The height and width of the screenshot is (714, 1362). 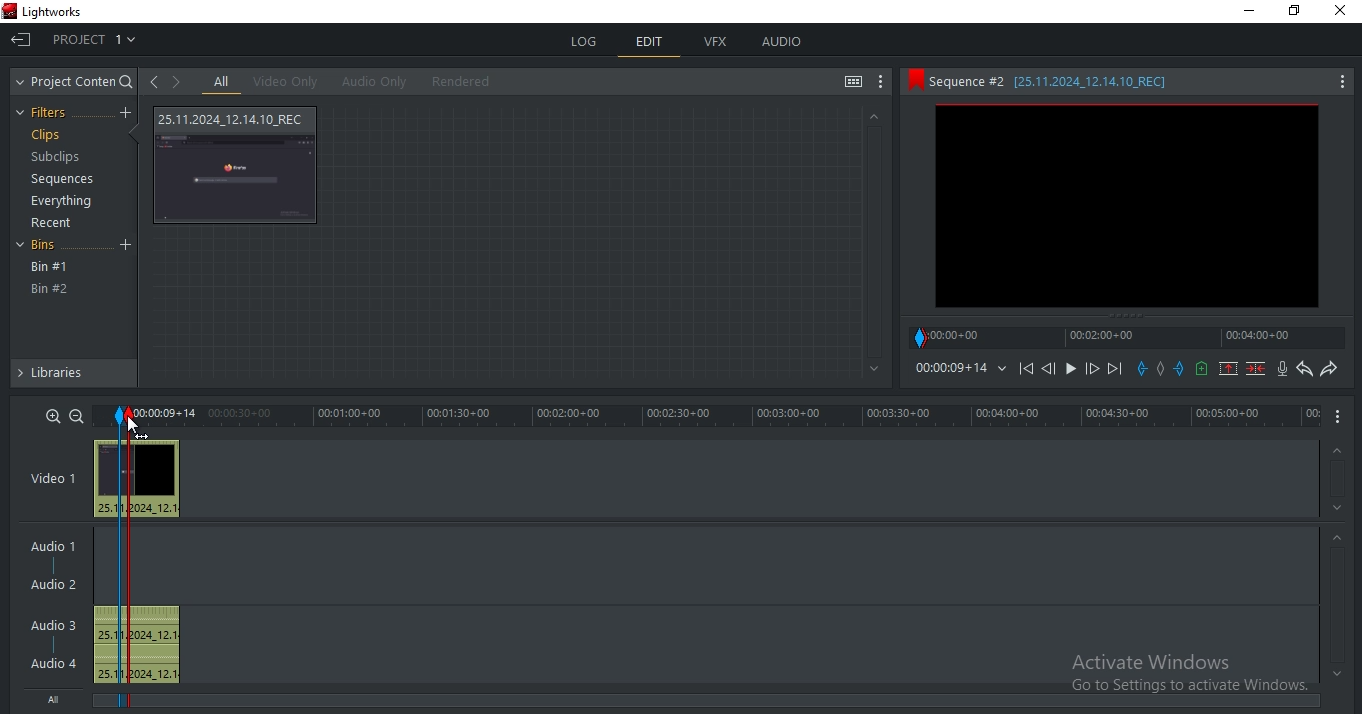 I want to click on redo, so click(x=1329, y=370).